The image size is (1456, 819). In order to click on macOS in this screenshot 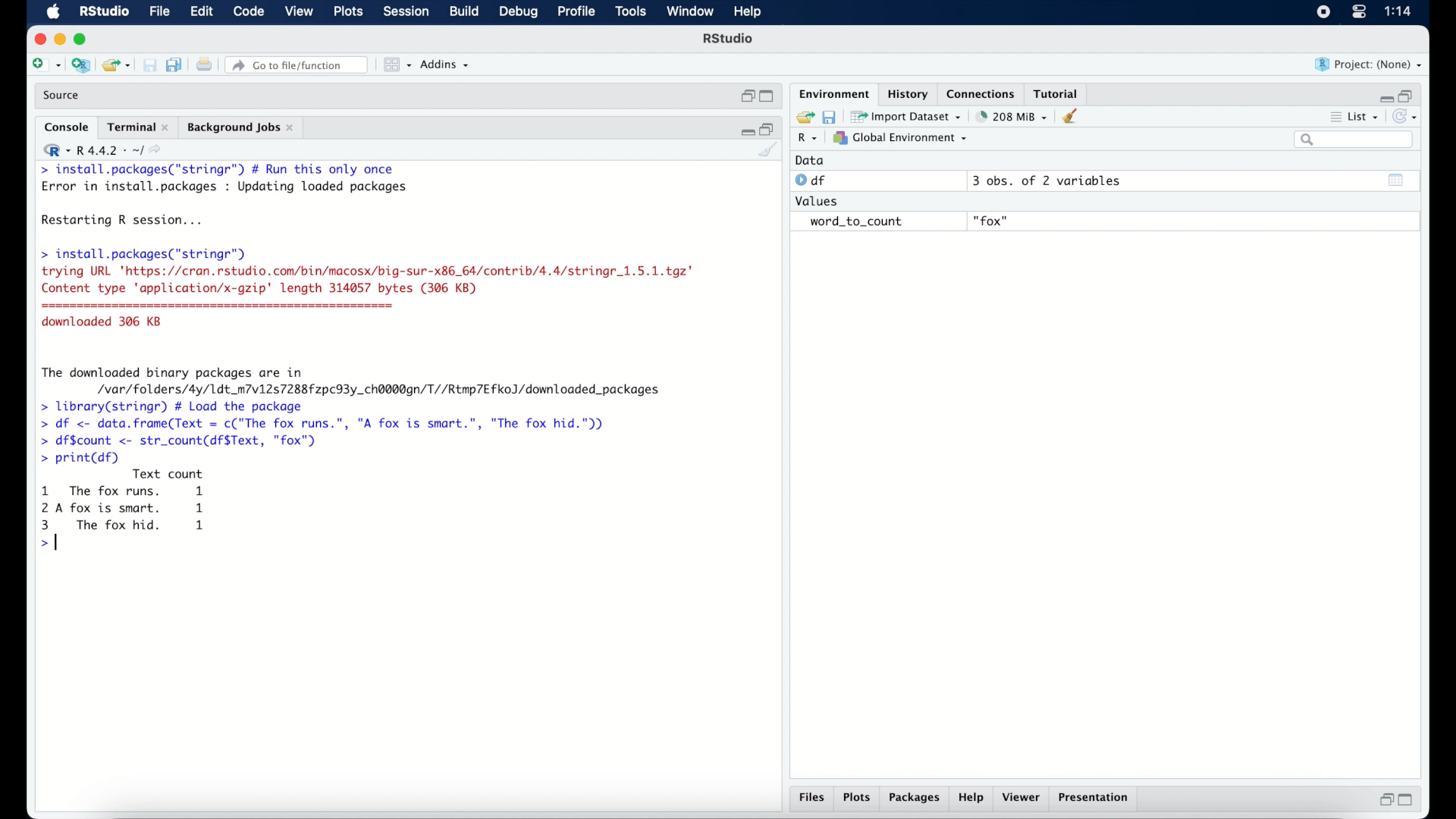, I will do `click(53, 12)`.